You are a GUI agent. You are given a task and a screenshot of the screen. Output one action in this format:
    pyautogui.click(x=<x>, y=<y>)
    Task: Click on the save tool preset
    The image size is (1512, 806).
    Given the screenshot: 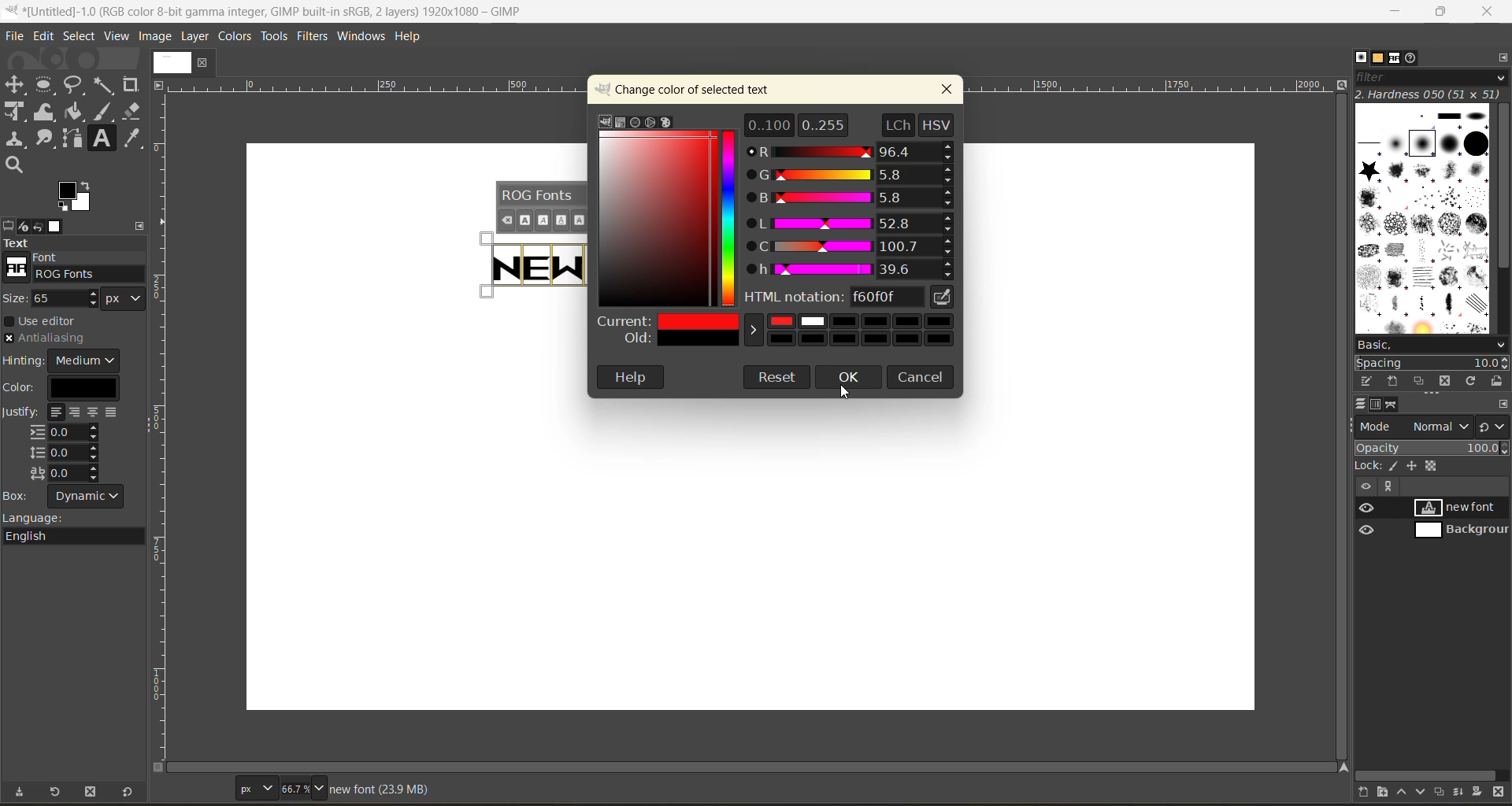 What is the action you would take?
    pyautogui.click(x=24, y=790)
    